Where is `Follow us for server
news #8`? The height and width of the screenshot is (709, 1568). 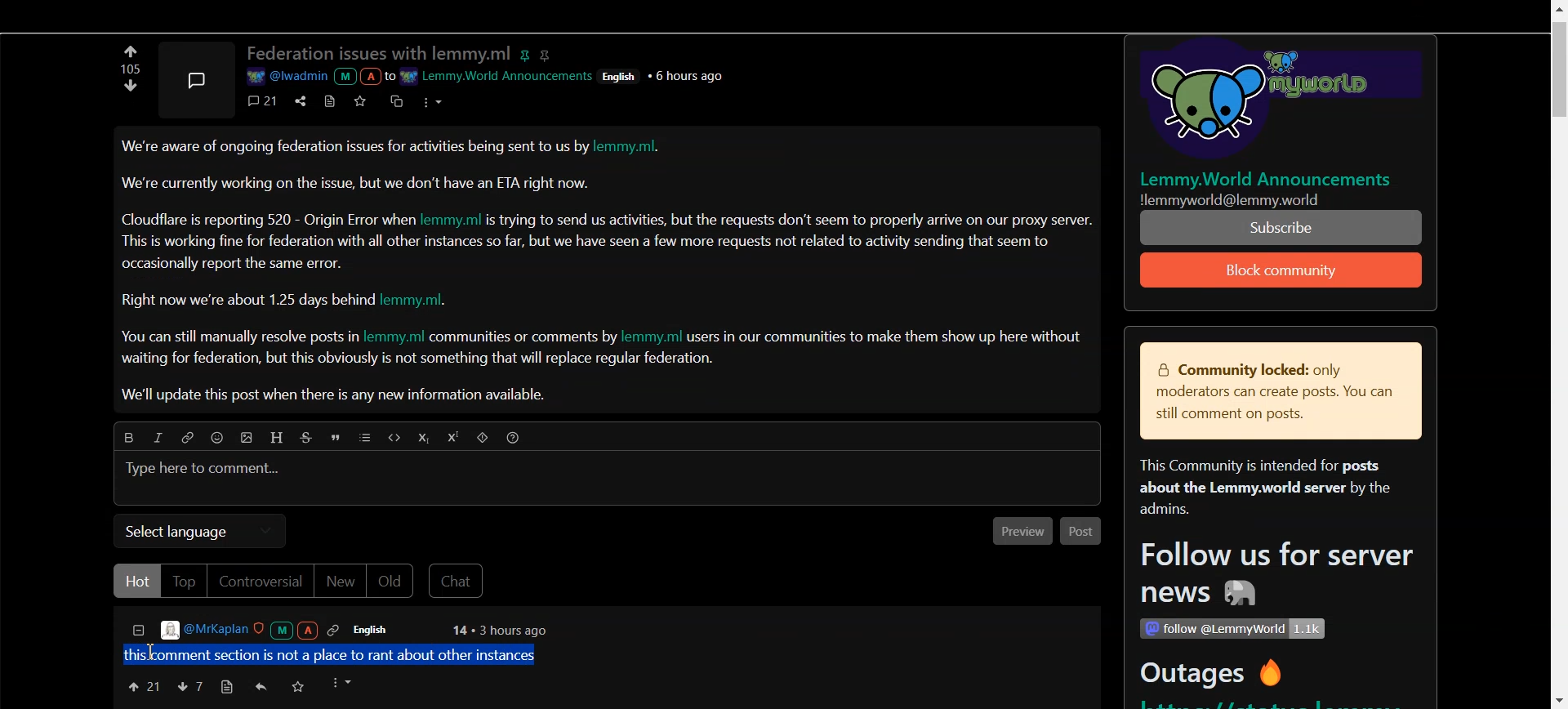
Follow us for server
news #8 is located at coordinates (1272, 577).